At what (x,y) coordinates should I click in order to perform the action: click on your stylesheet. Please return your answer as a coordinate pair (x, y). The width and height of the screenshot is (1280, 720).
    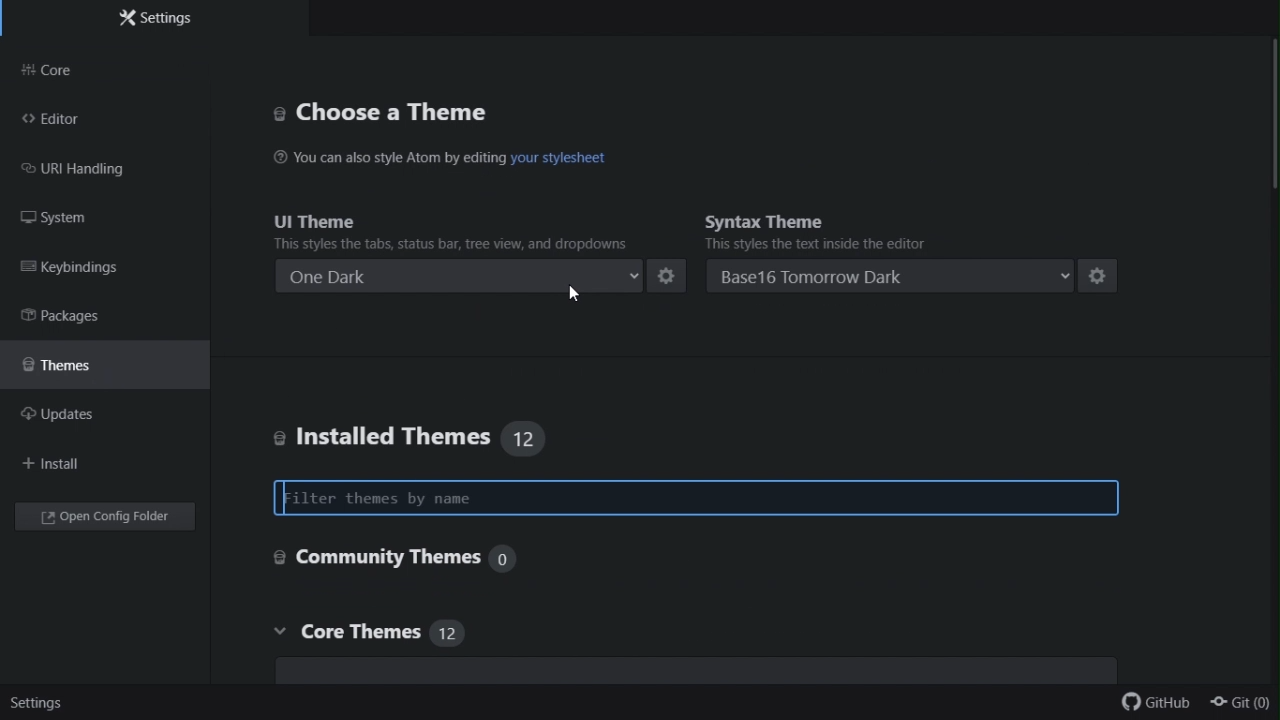
    Looking at the image, I should click on (559, 158).